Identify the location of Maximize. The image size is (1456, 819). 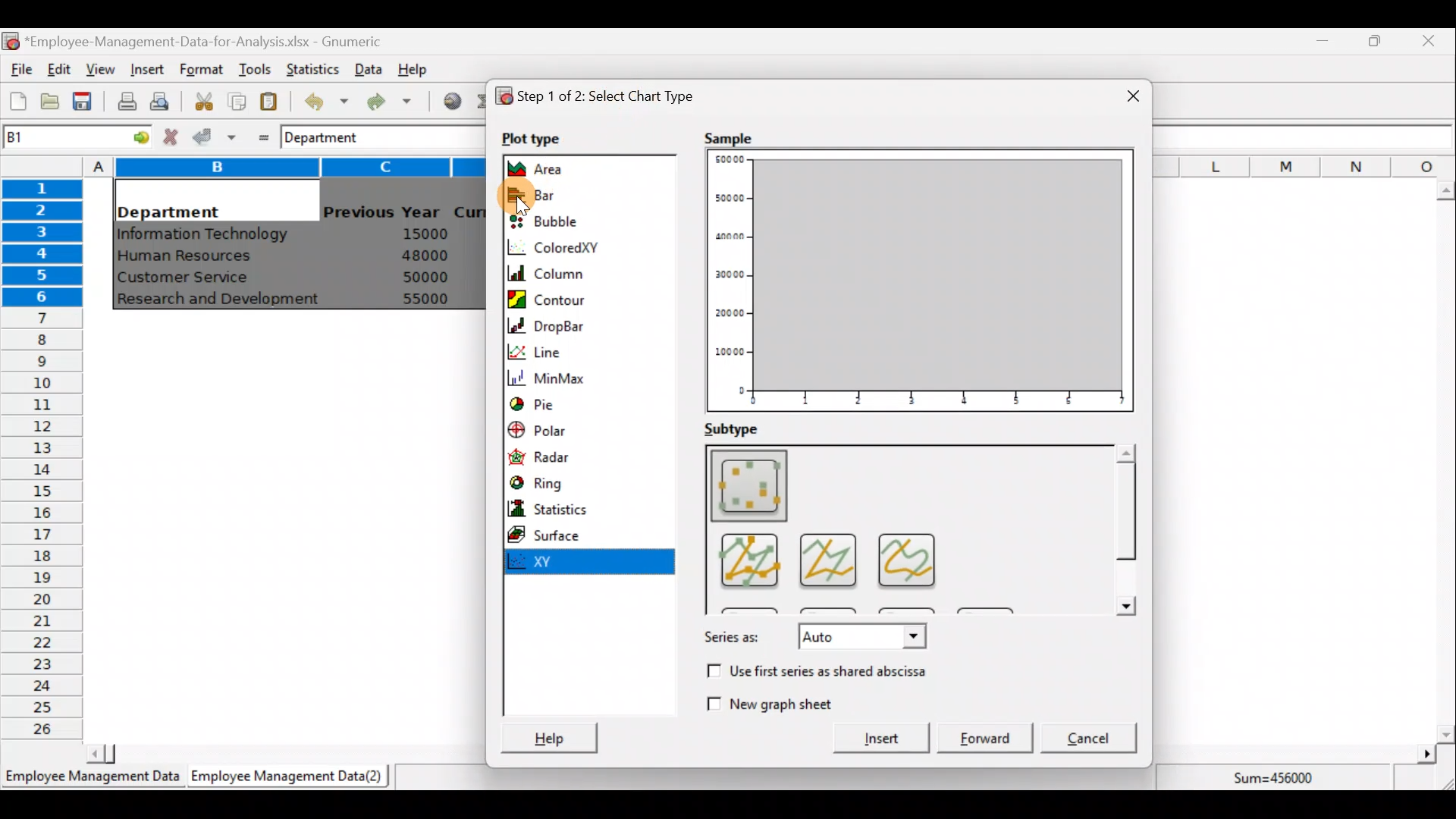
(1375, 40).